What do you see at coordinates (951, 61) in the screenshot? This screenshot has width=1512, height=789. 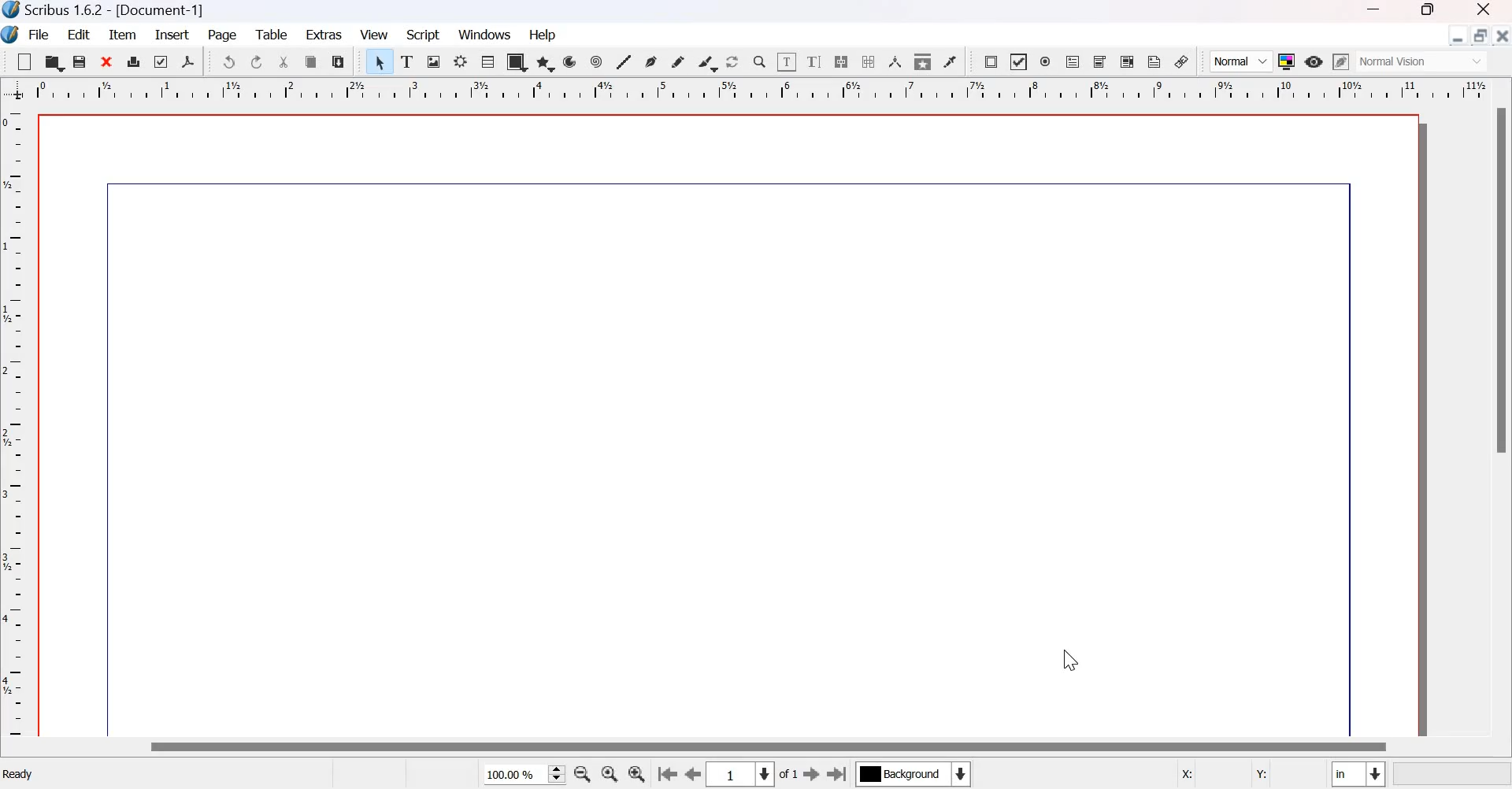 I see `Eye dropper` at bounding box center [951, 61].